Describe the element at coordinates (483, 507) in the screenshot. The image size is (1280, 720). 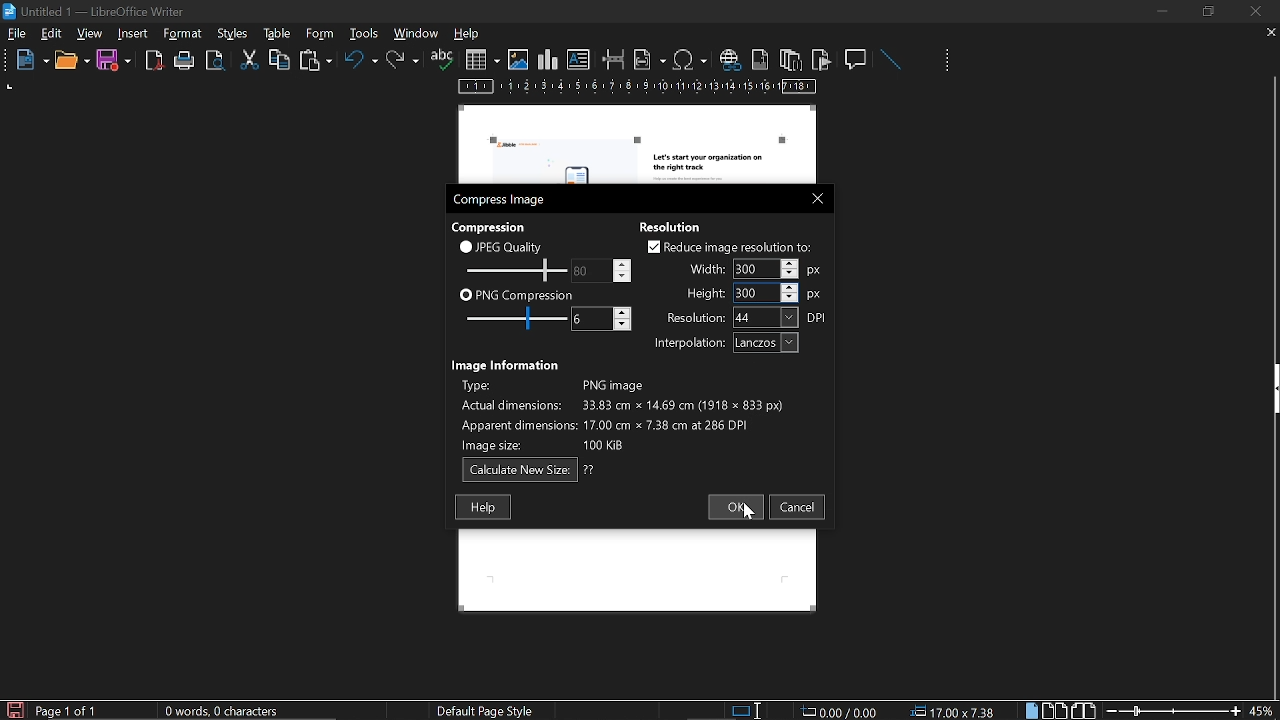
I see `help` at that location.